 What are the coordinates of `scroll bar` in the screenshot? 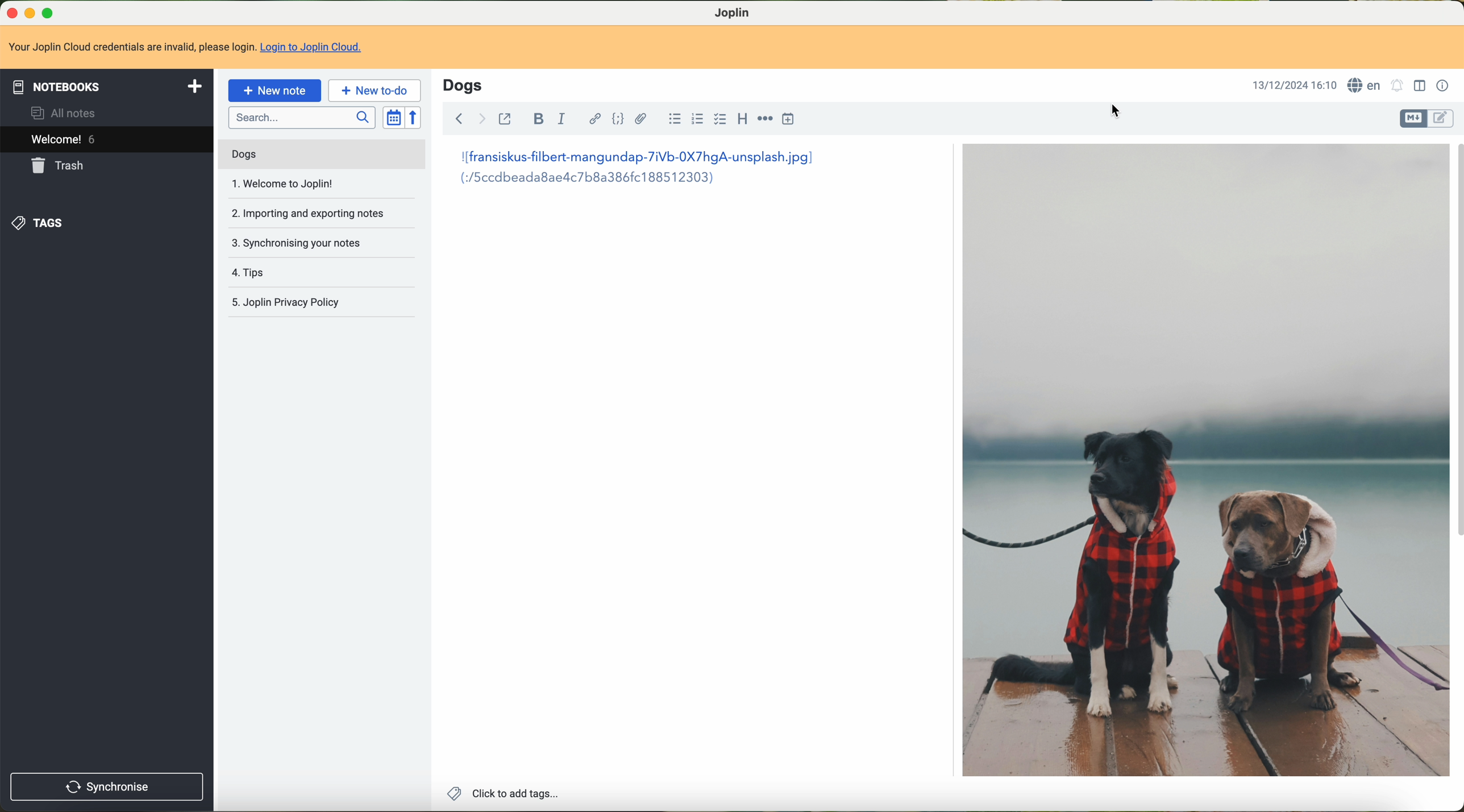 It's located at (1455, 345).